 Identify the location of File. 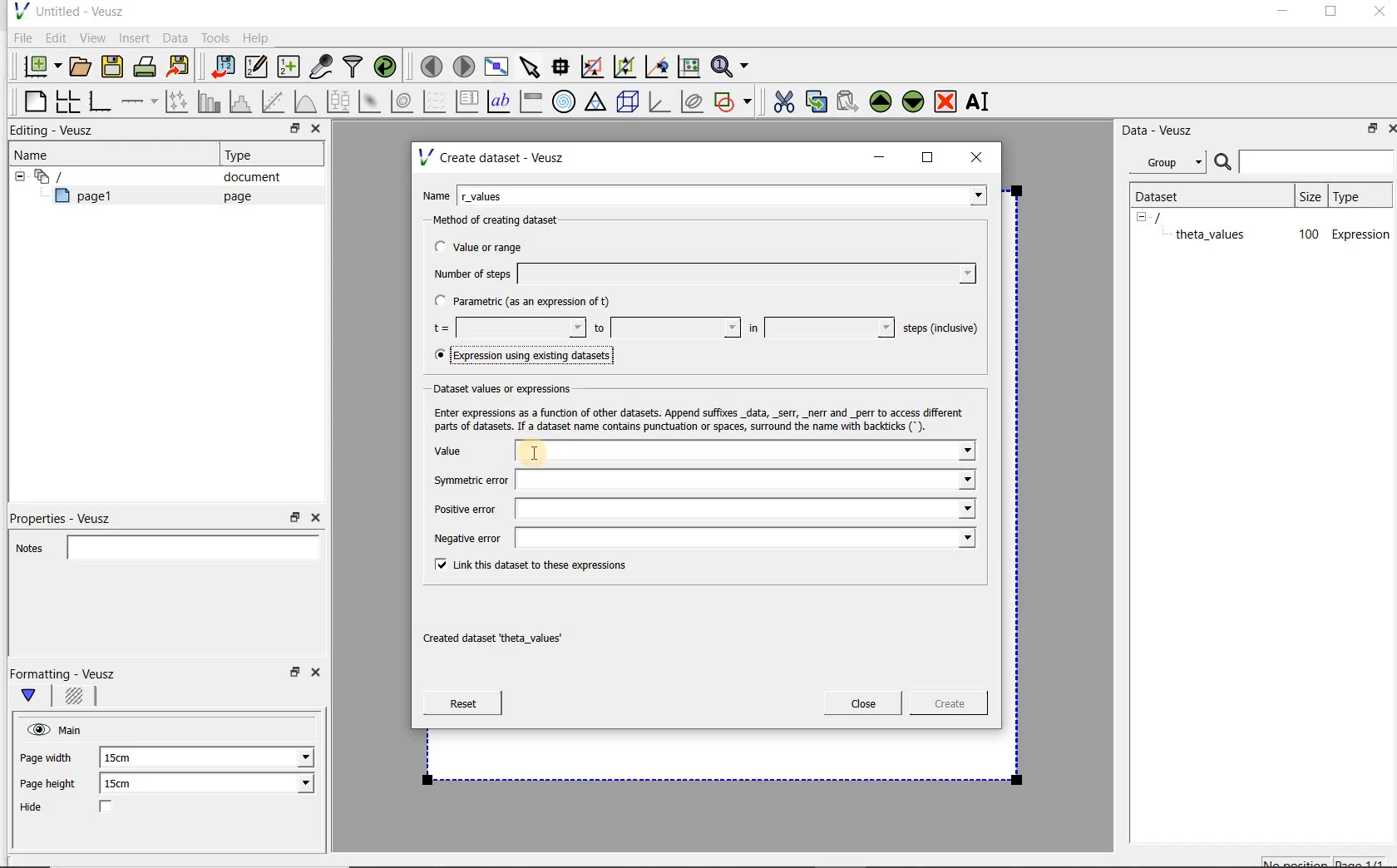
(20, 38).